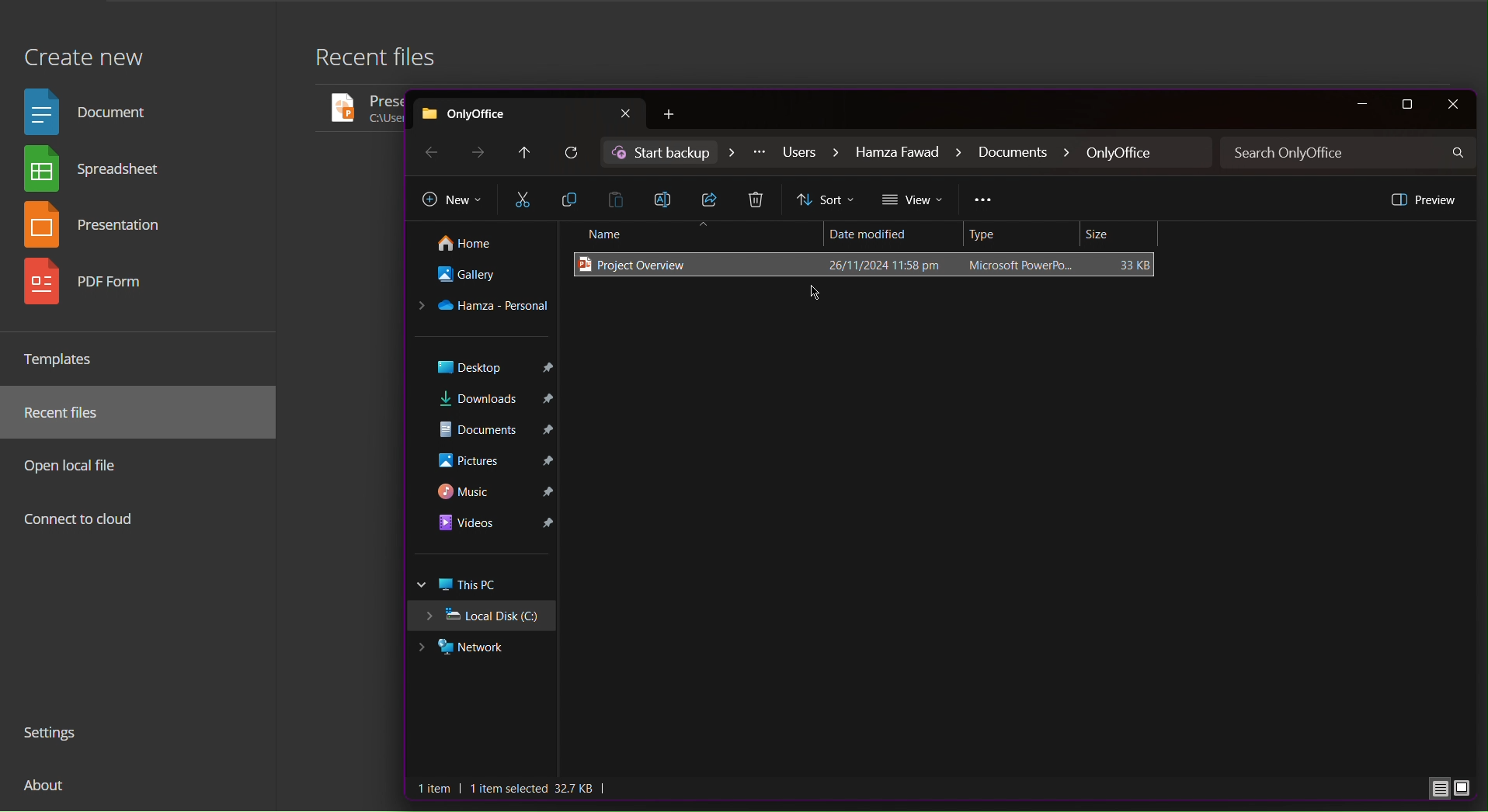 This screenshot has height=812, width=1488. Describe the element at coordinates (908, 153) in the screenshot. I see `Address Bar` at that location.